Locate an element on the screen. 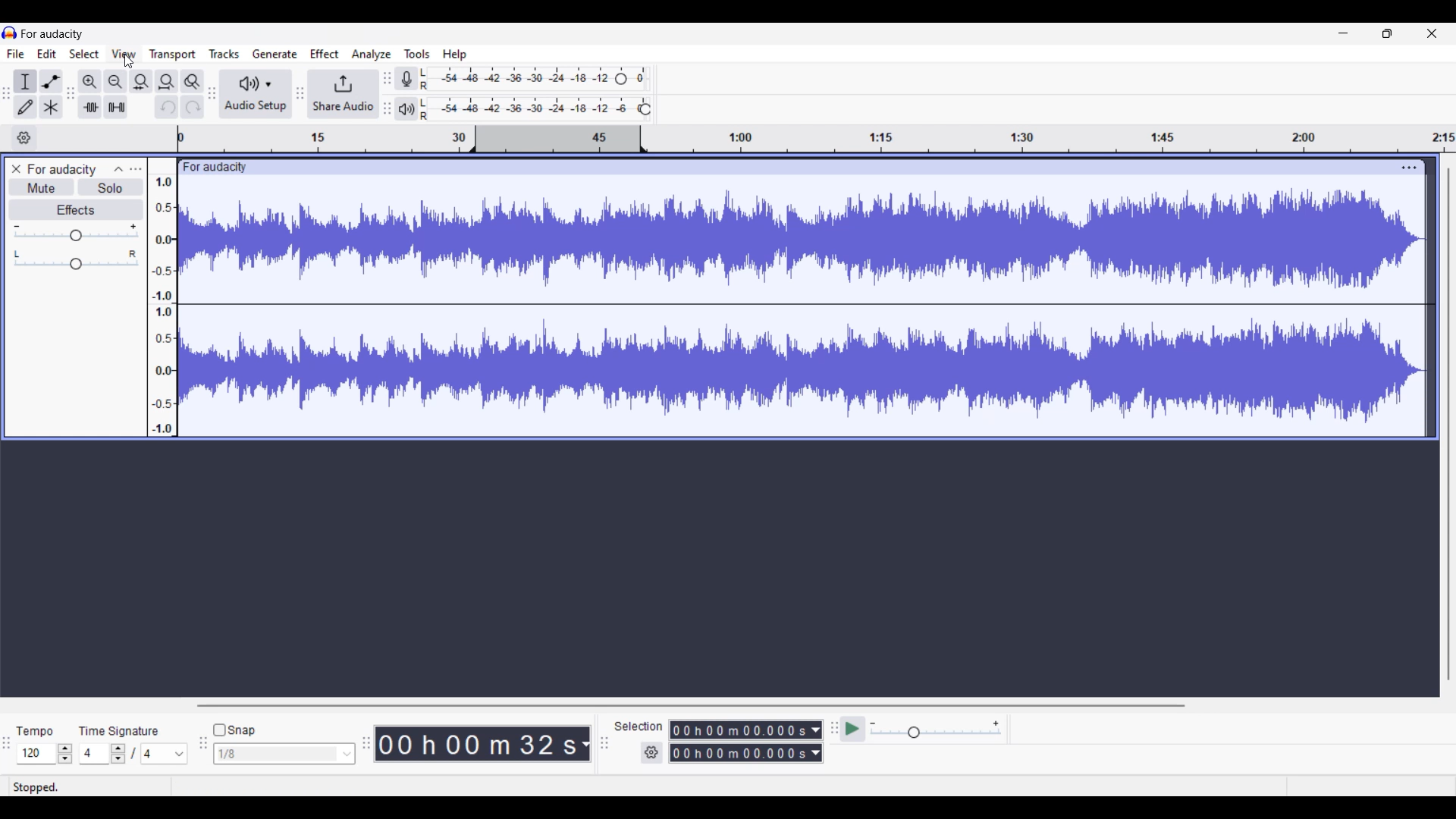  Zoom toggle is located at coordinates (193, 81).